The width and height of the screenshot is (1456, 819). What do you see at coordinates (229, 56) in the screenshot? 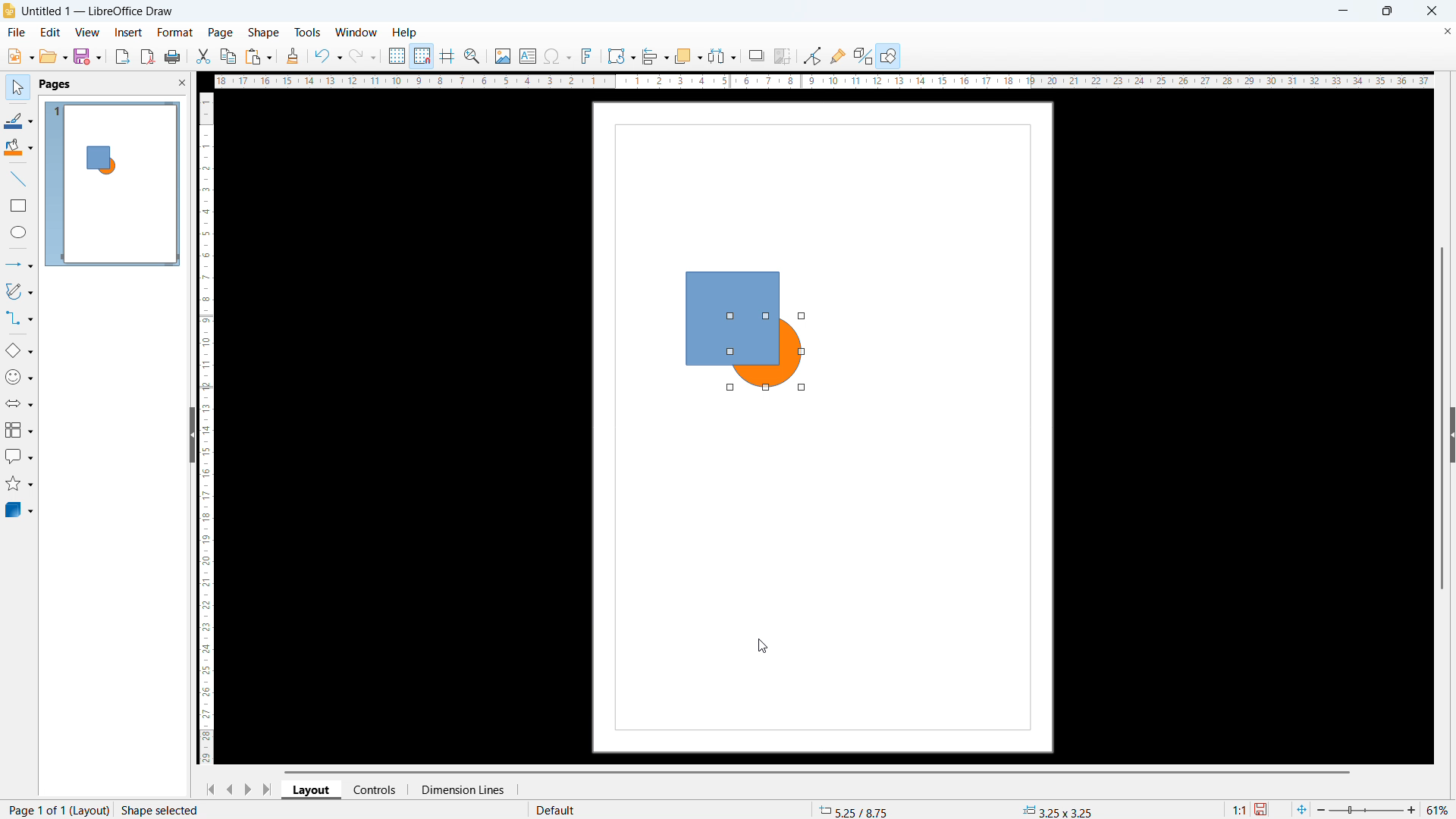
I see `copy ` at bounding box center [229, 56].